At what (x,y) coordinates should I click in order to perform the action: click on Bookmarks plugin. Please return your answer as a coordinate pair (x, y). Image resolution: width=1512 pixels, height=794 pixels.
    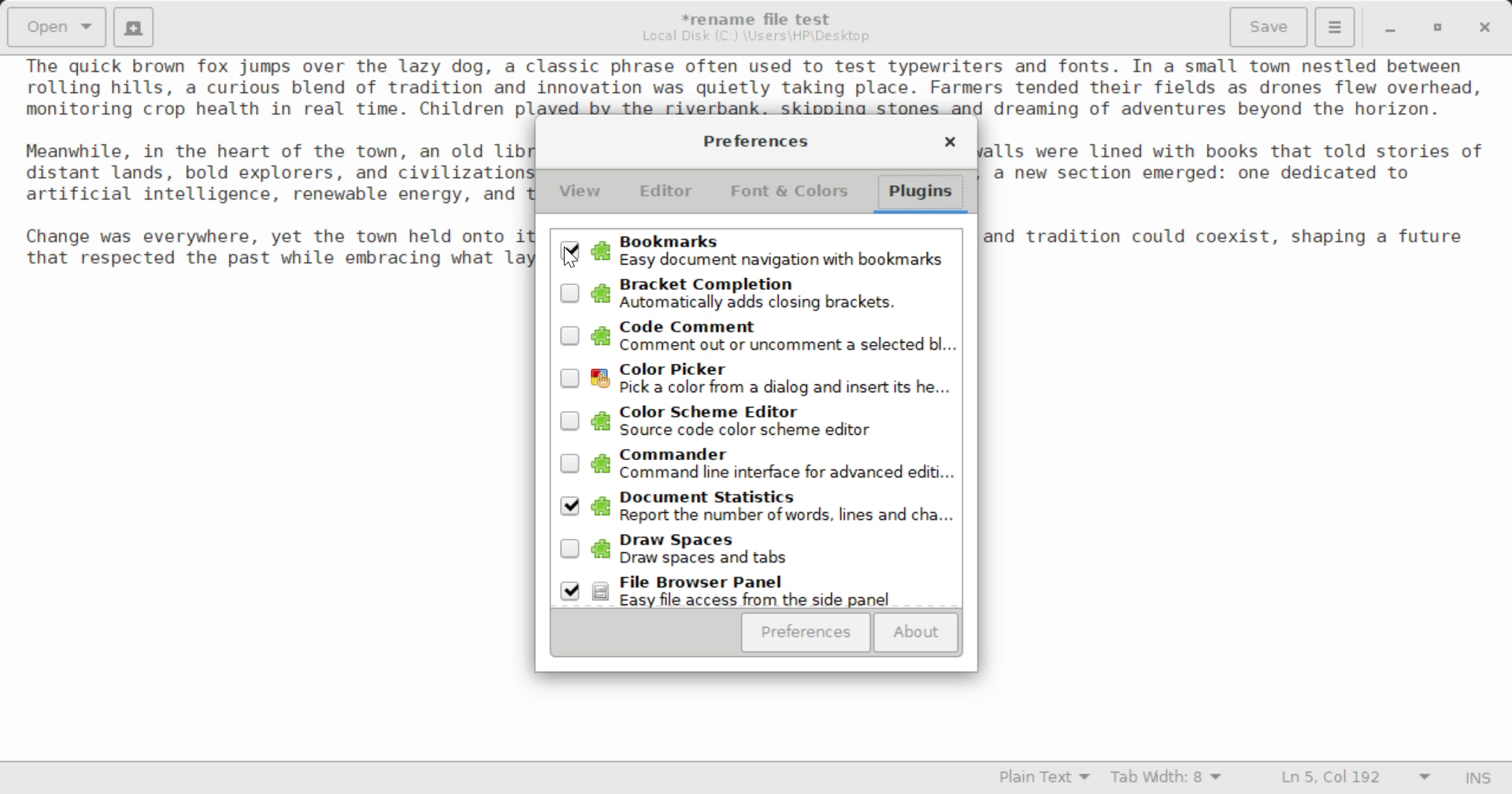
    Looking at the image, I should click on (757, 251).